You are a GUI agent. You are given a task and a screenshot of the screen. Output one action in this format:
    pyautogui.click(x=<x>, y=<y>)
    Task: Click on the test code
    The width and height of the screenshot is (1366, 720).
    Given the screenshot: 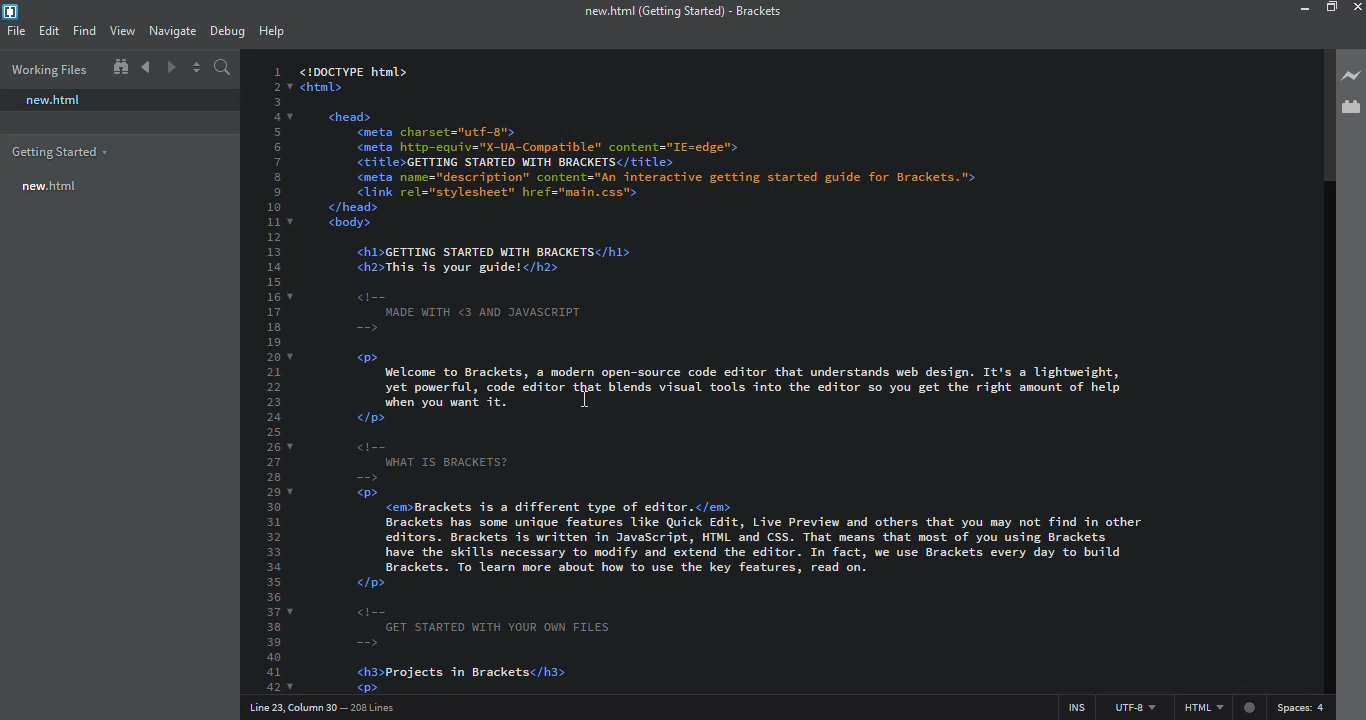 What is the action you would take?
    pyautogui.click(x=741, y=367)
    